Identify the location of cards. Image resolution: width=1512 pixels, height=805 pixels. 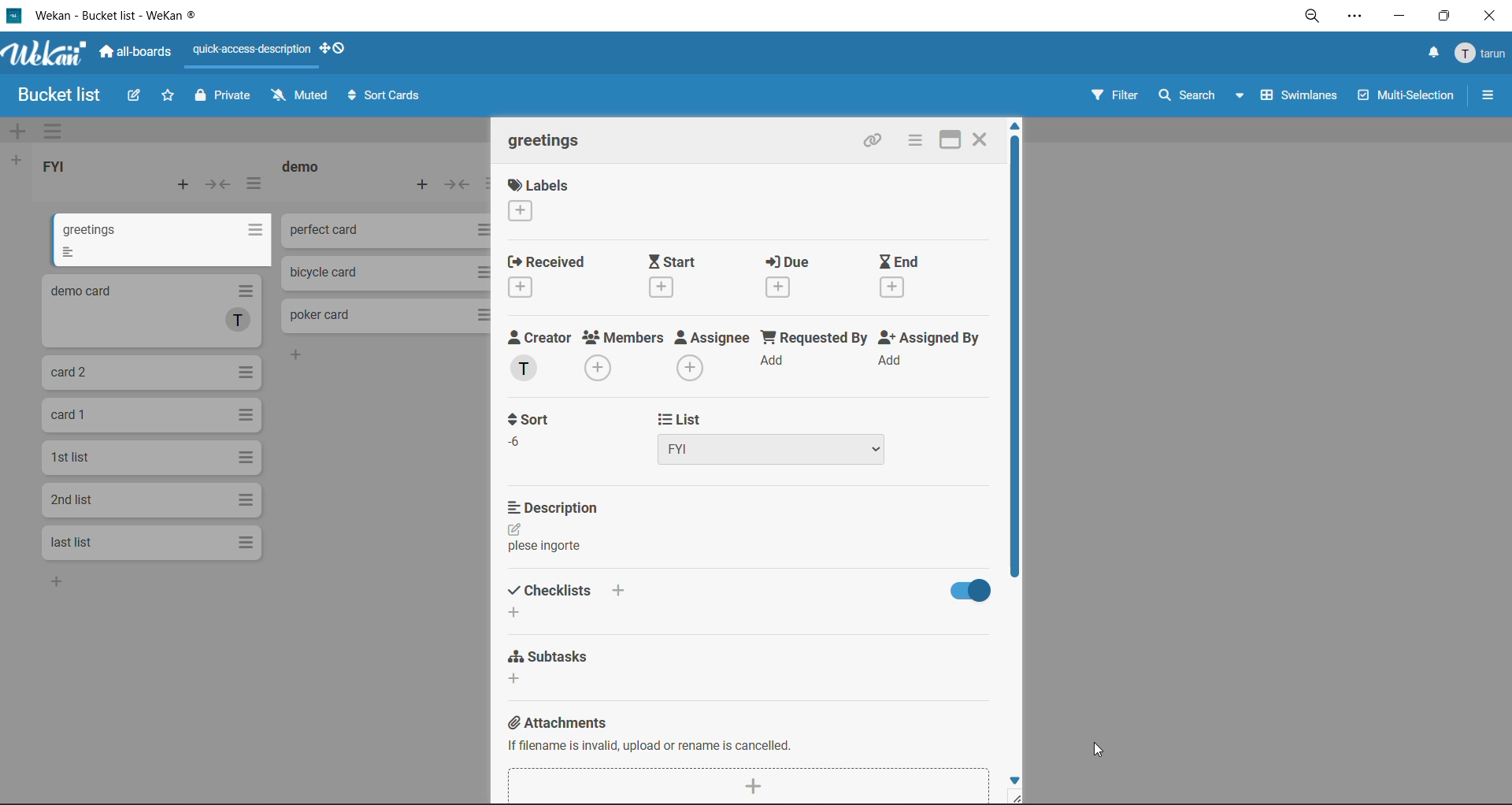
(152, 461).